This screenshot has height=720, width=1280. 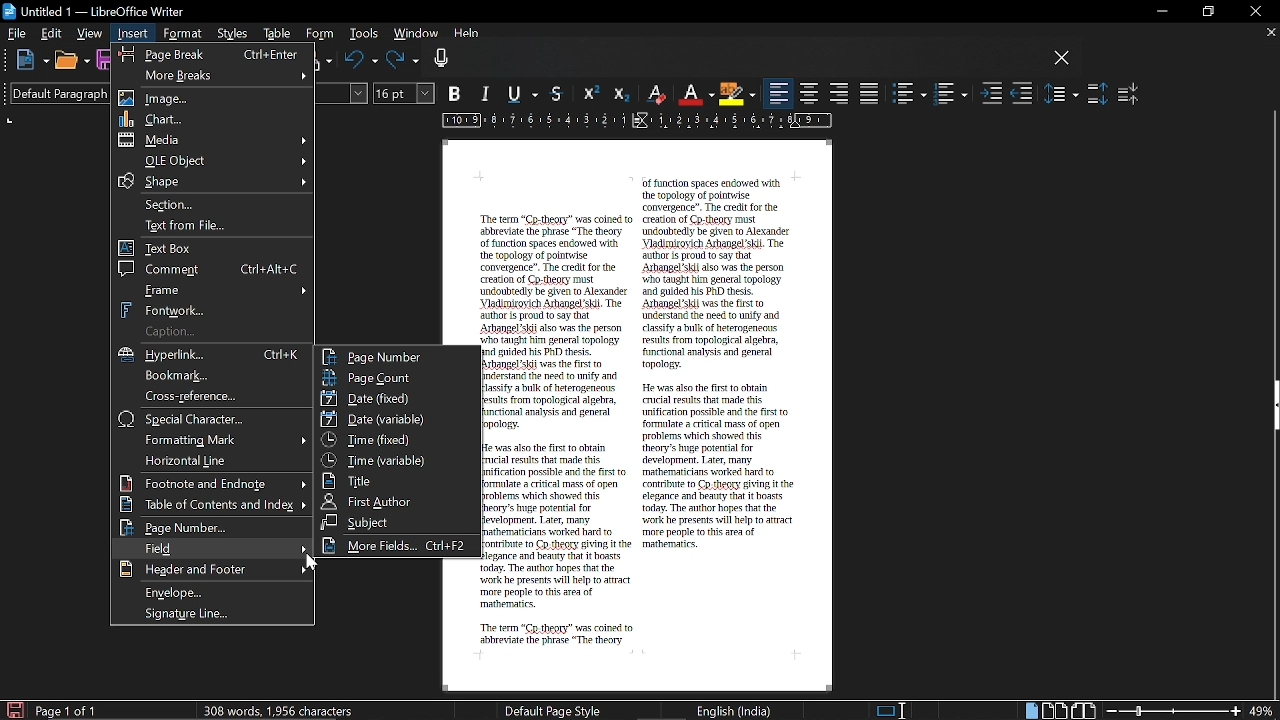 I want to click on Standard selection, so click(x=892, y=710).